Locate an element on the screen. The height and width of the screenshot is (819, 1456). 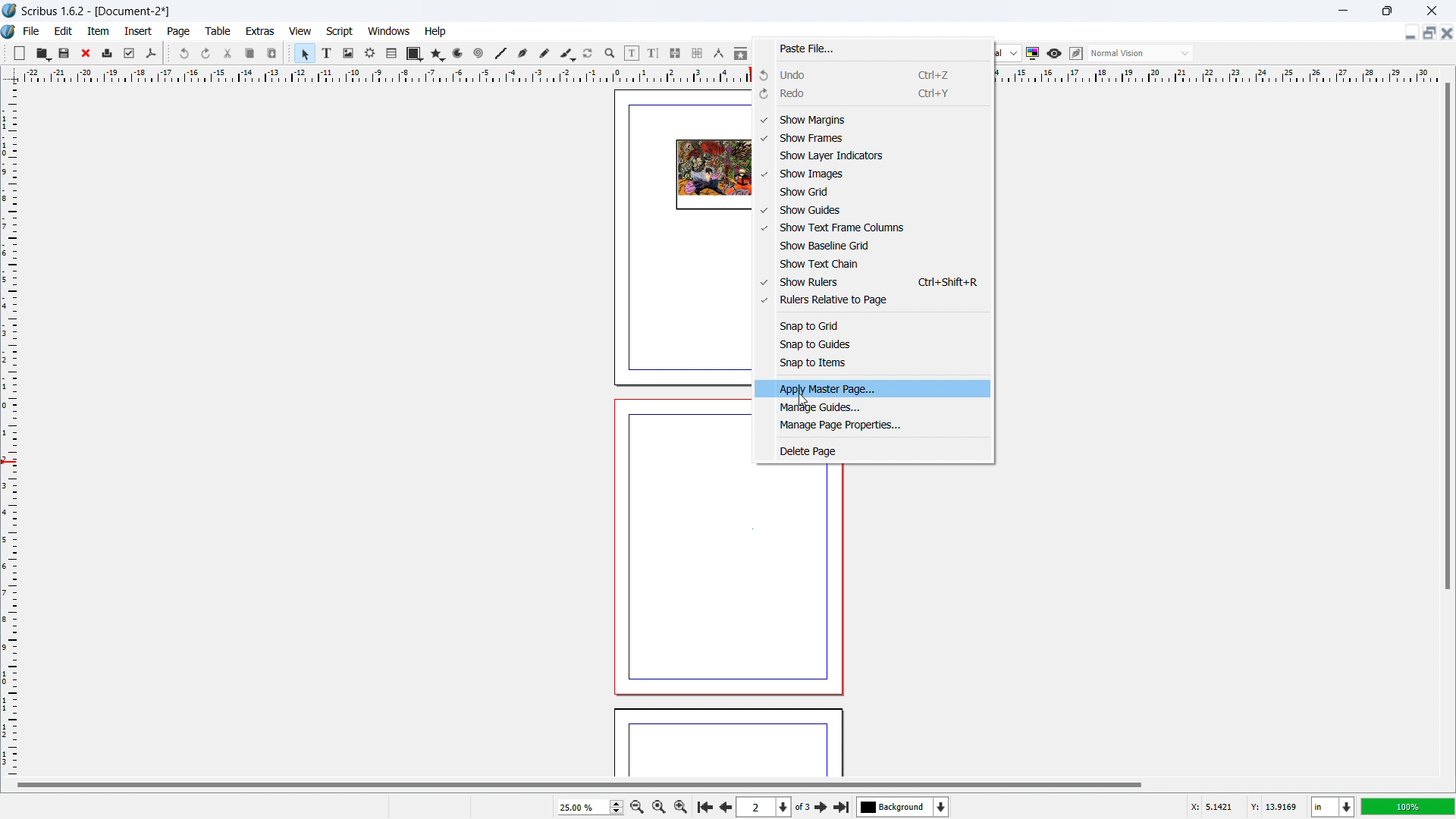
help is located at coordinates (436, 32).